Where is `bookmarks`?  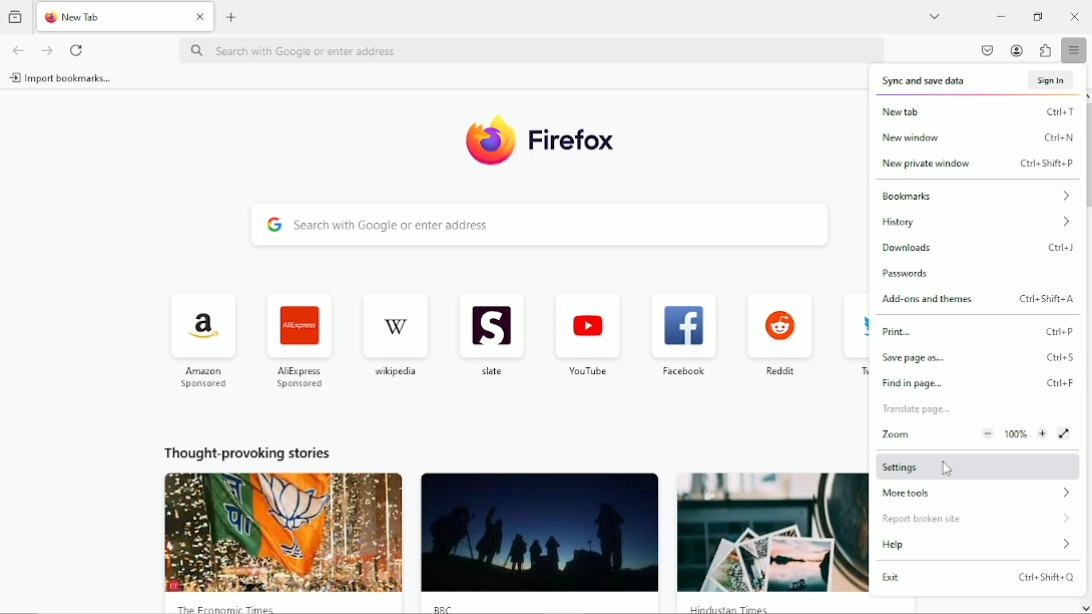
bookmarks is located at coordinates (977, 195).